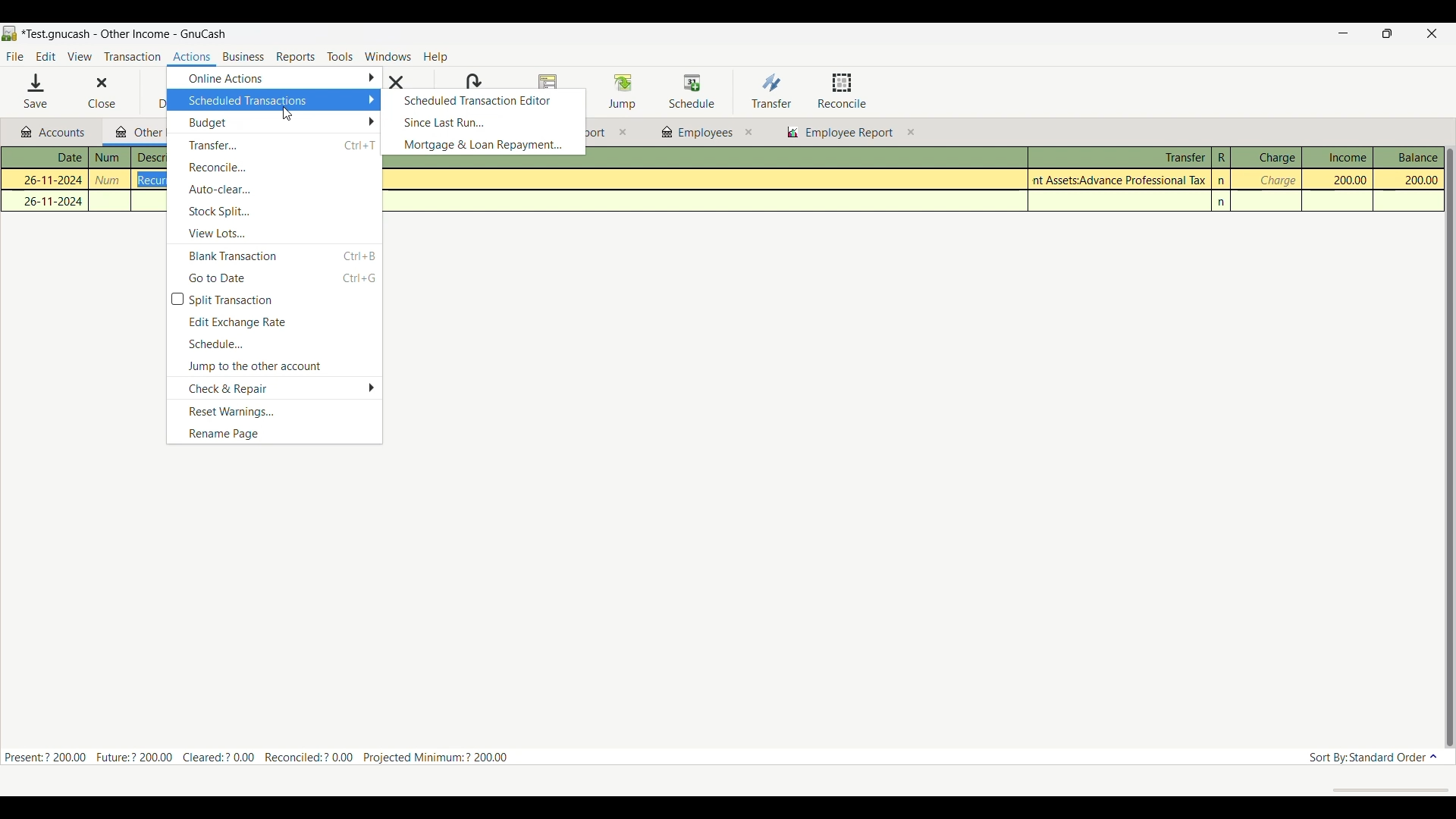 This screenshot has height=819, width=1456. What do you see at coordinates (1276, 180) in the screenshot?
I see `charge` at bounding box center [1276, 180].